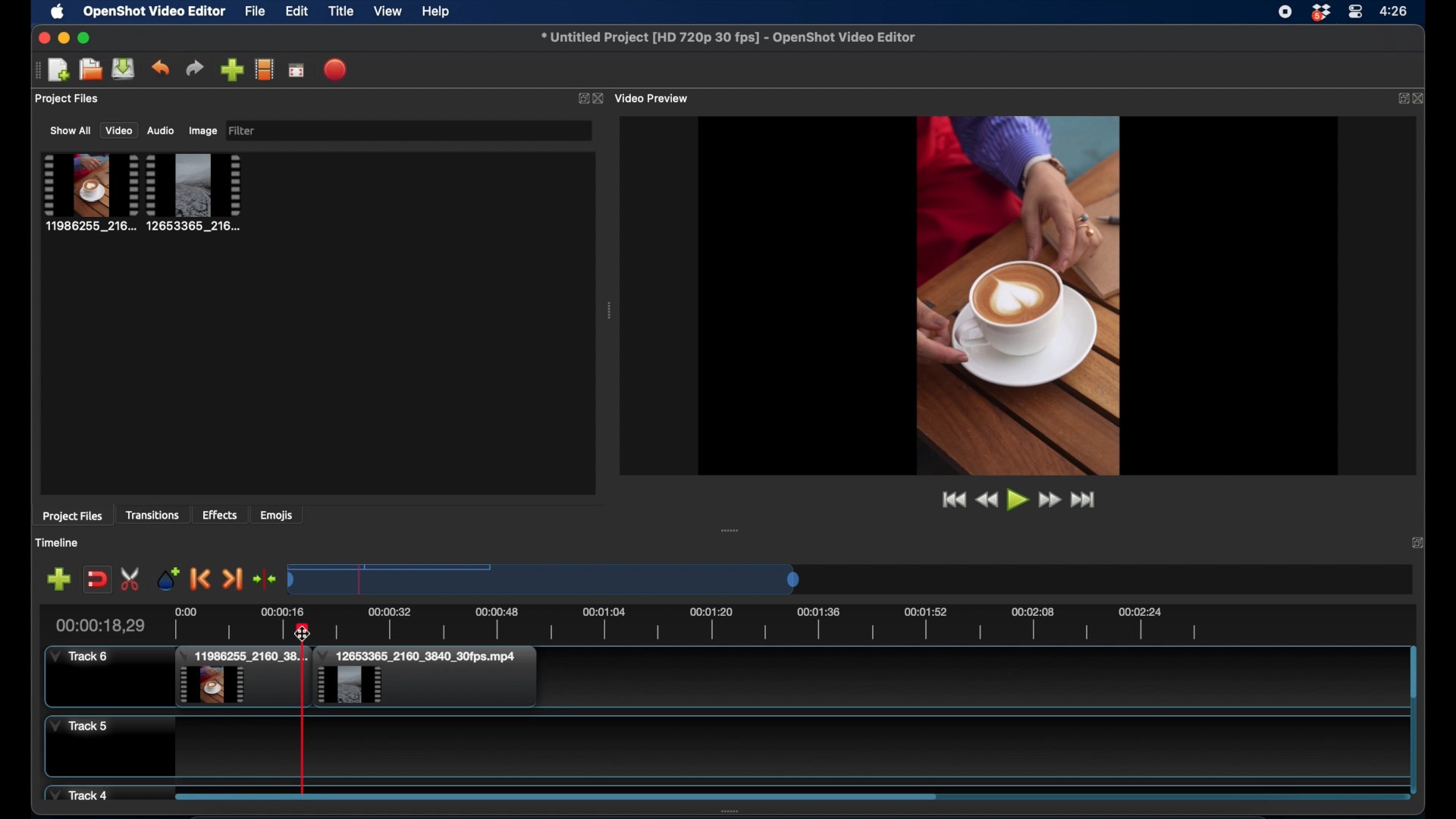 Image resolution: width=1456 pixels, height=819 pixels. What do you see at coordinates (89, 192) in the screenshot?
I see `project file` at bounding box center [89, 192].